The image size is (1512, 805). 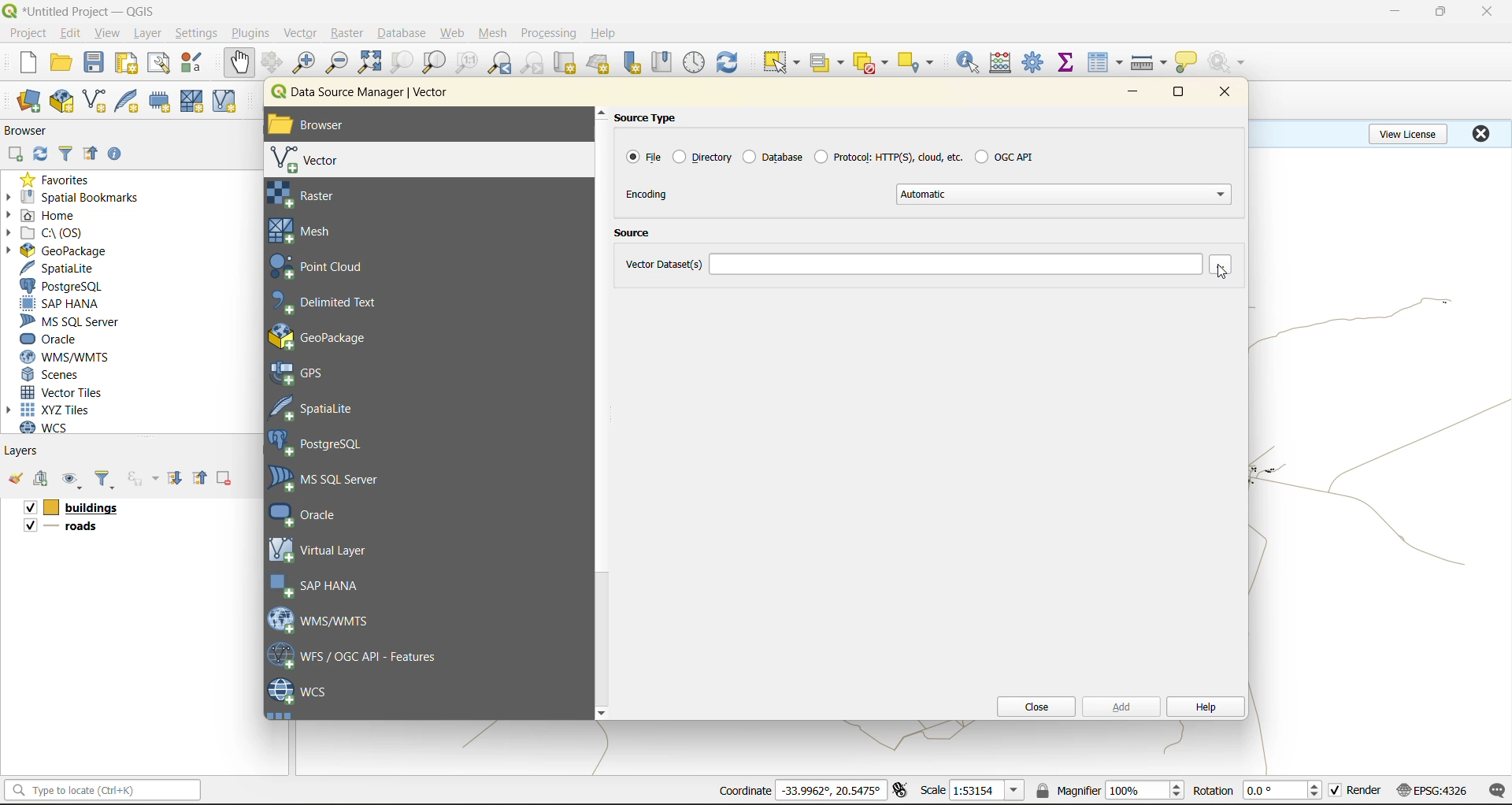 I want to click on add, so click(x=43, y=480).